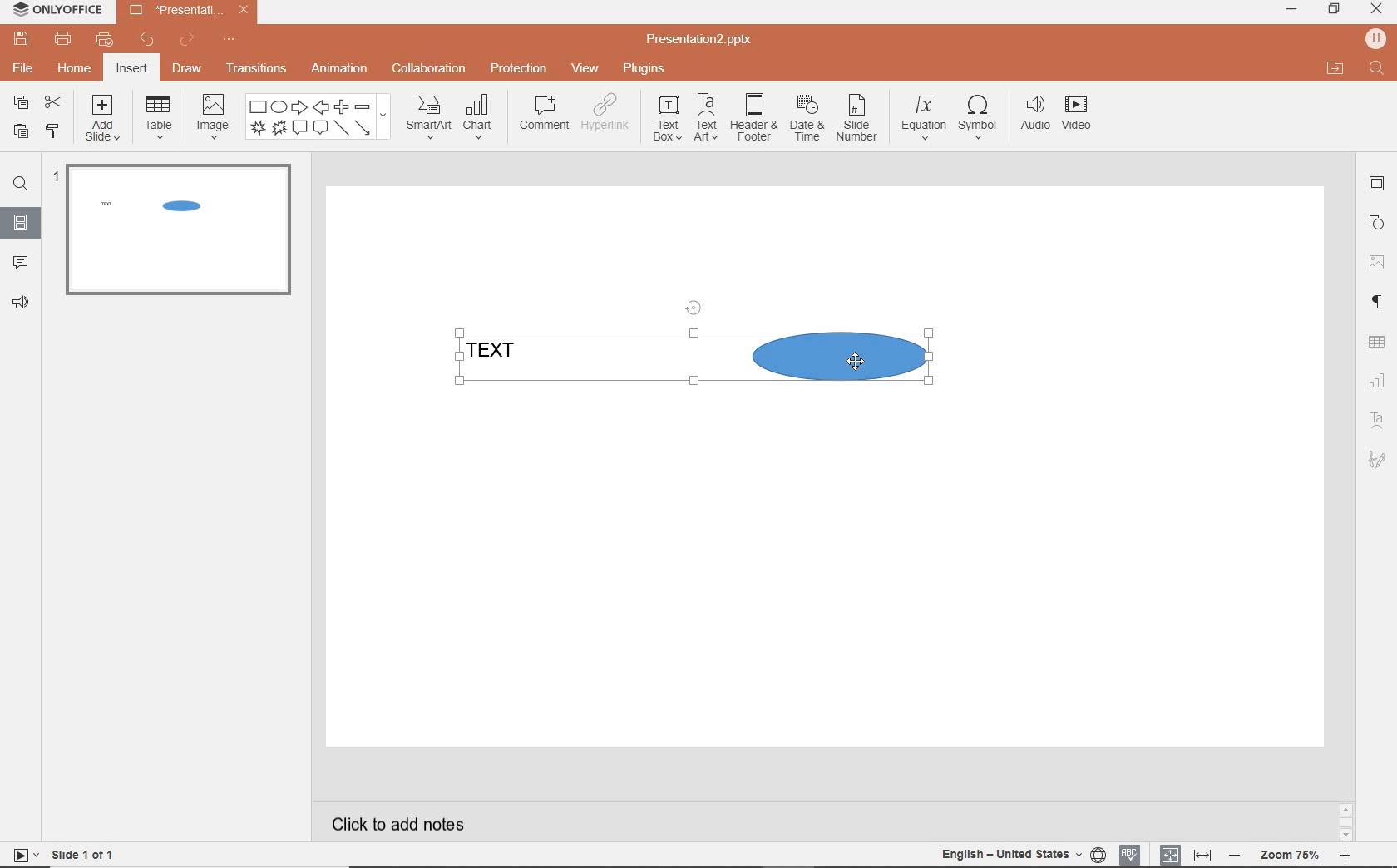  What do you see at coordinates (187, 12) in the screenshot?
I see `Presentation2.pptx` at bounding box center [187, 12].